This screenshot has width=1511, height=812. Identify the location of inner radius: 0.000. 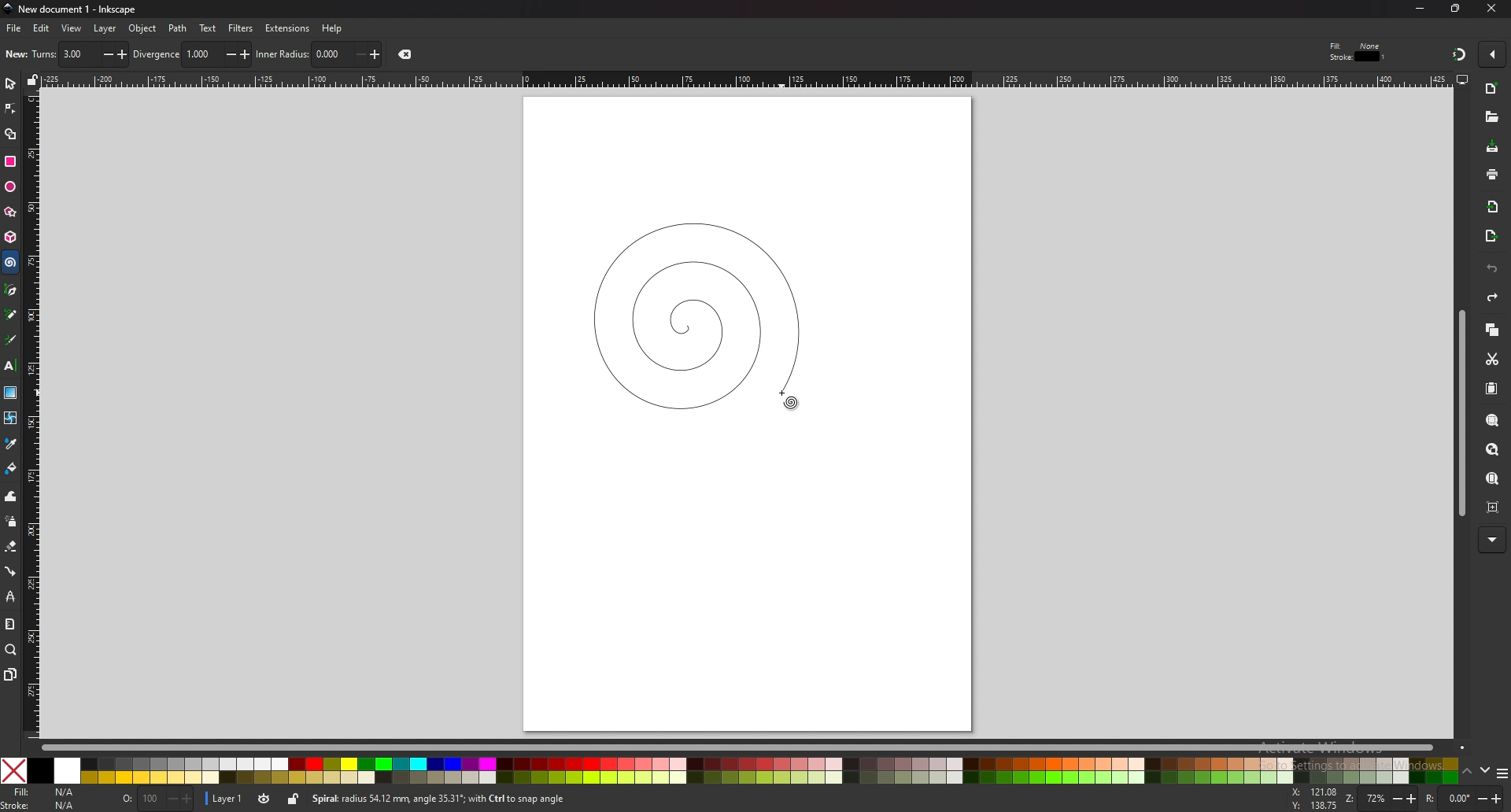
(319, 54).